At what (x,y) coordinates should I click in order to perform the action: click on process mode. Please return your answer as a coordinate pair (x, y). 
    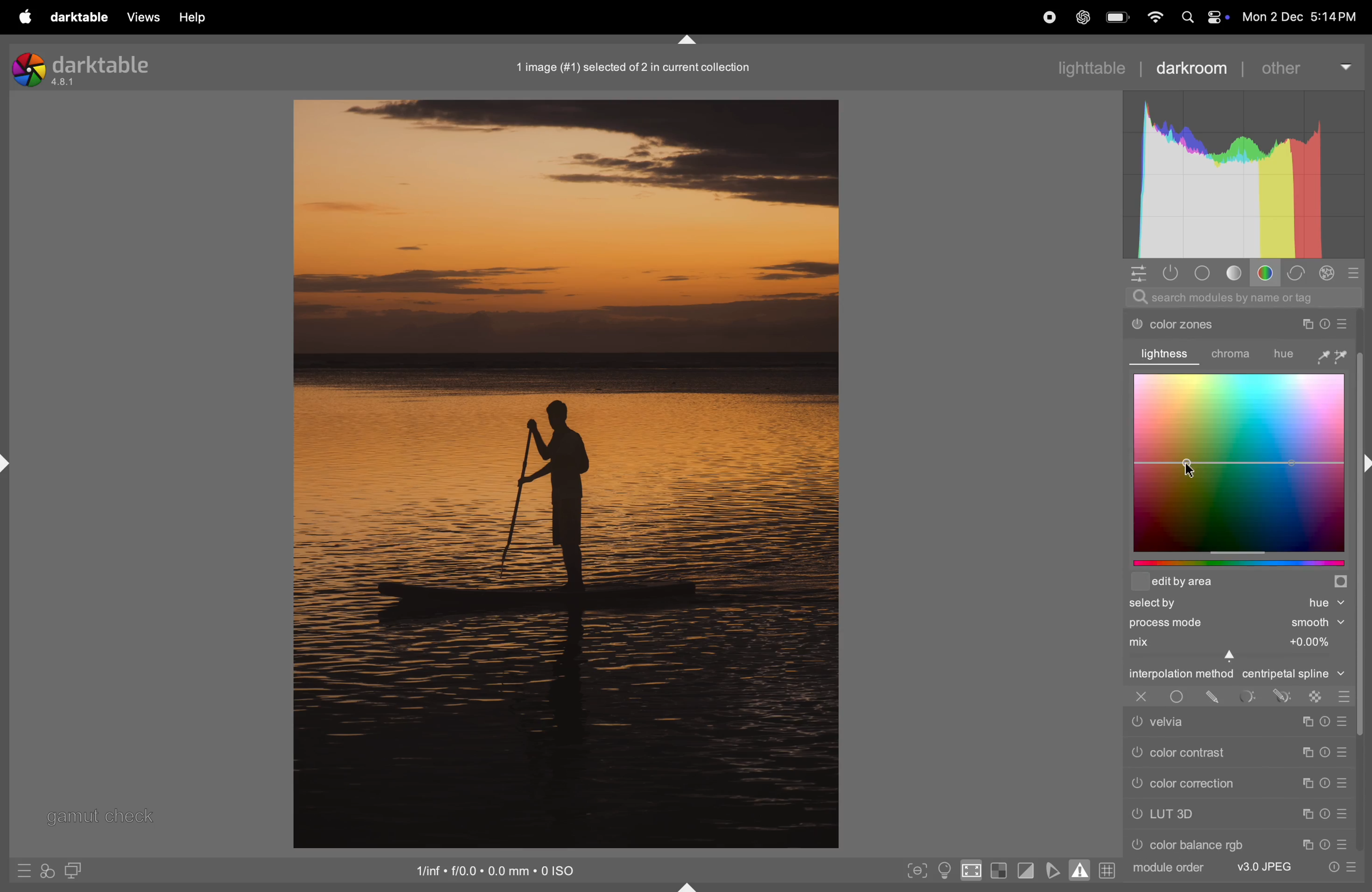
    Looking at the image, I should click on (1202, 623).